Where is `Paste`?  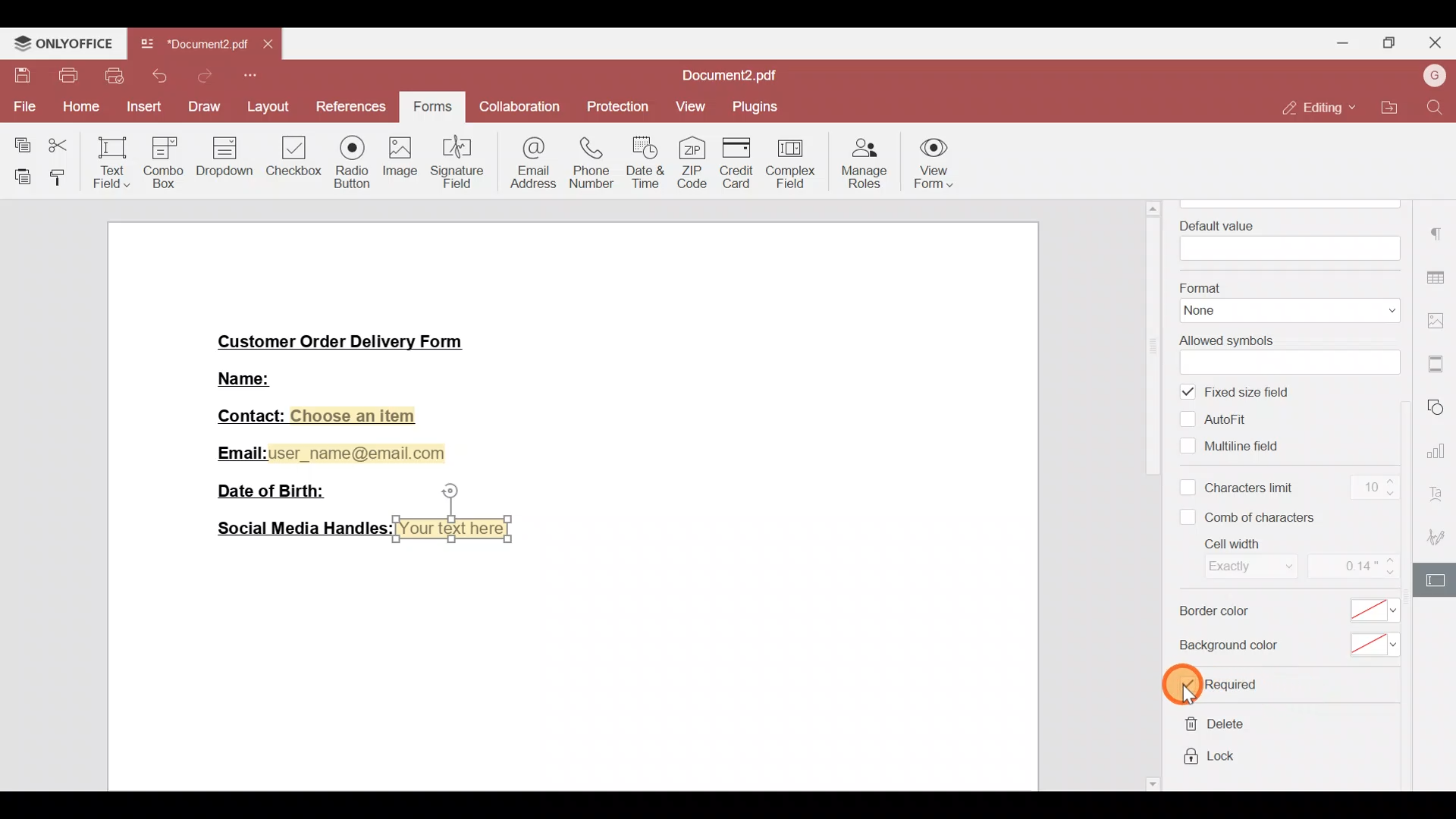 Paste is located at coordinates (17, 177).